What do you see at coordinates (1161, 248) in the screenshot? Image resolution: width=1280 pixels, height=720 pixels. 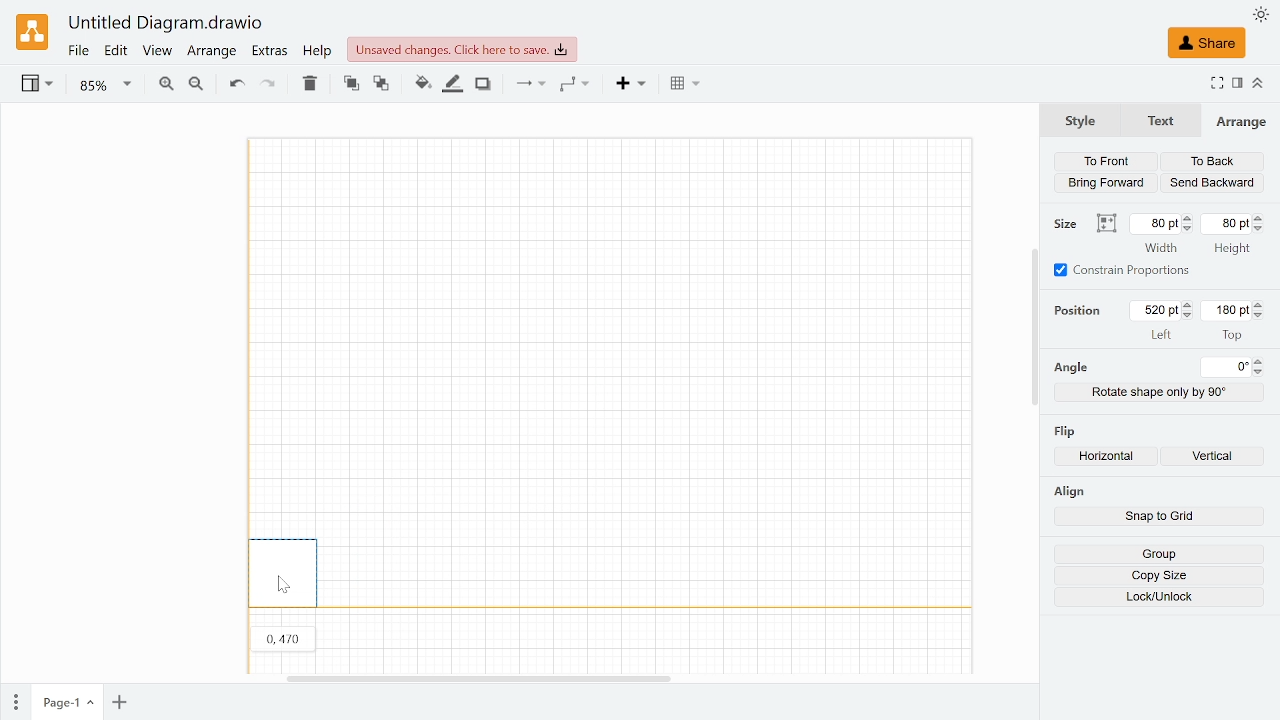 I see `width` at bounding box center [1161, 248].